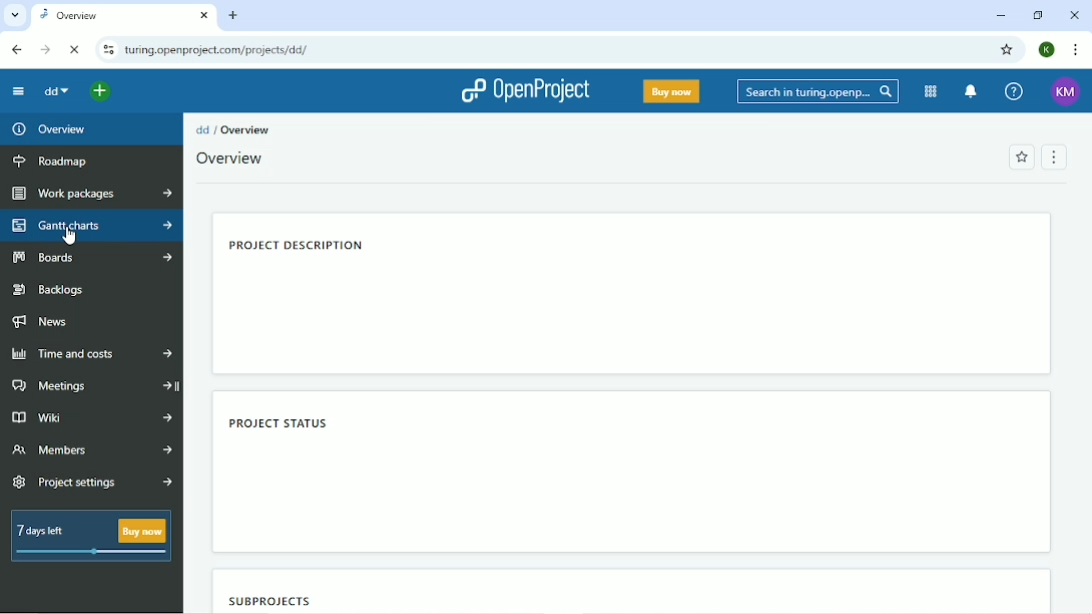 This screenshot has height=614, width=1092. I want to click on To notification center, so click(972, 91).